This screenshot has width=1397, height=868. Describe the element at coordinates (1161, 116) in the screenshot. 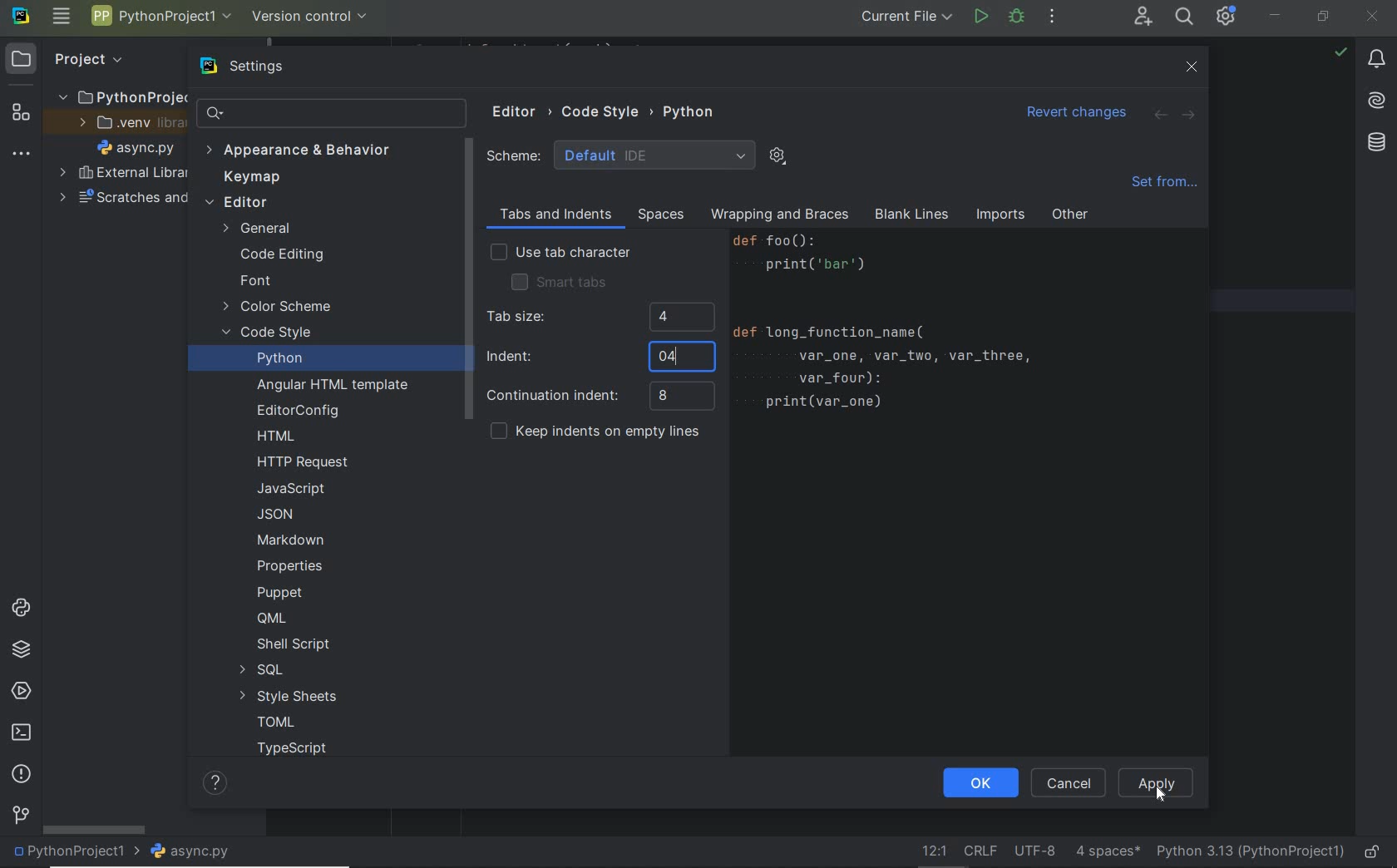

I see `back` at that location.